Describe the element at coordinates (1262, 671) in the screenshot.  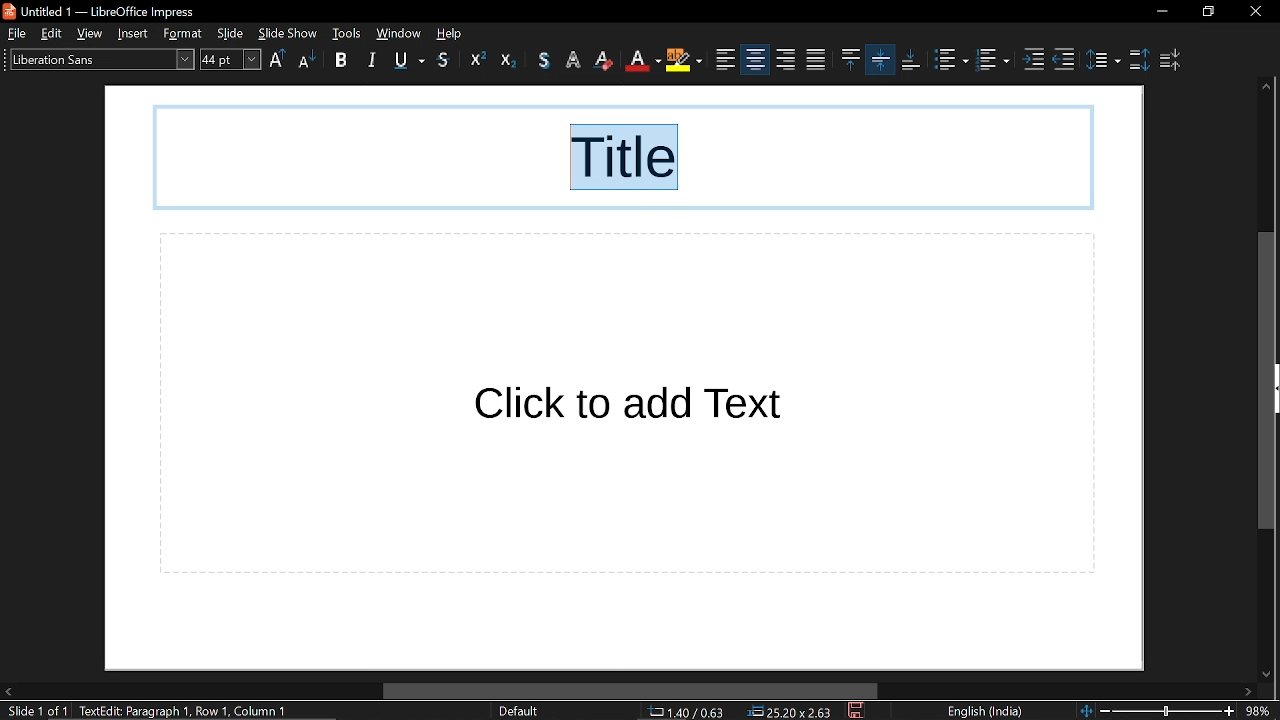
I see `move down` at that location.